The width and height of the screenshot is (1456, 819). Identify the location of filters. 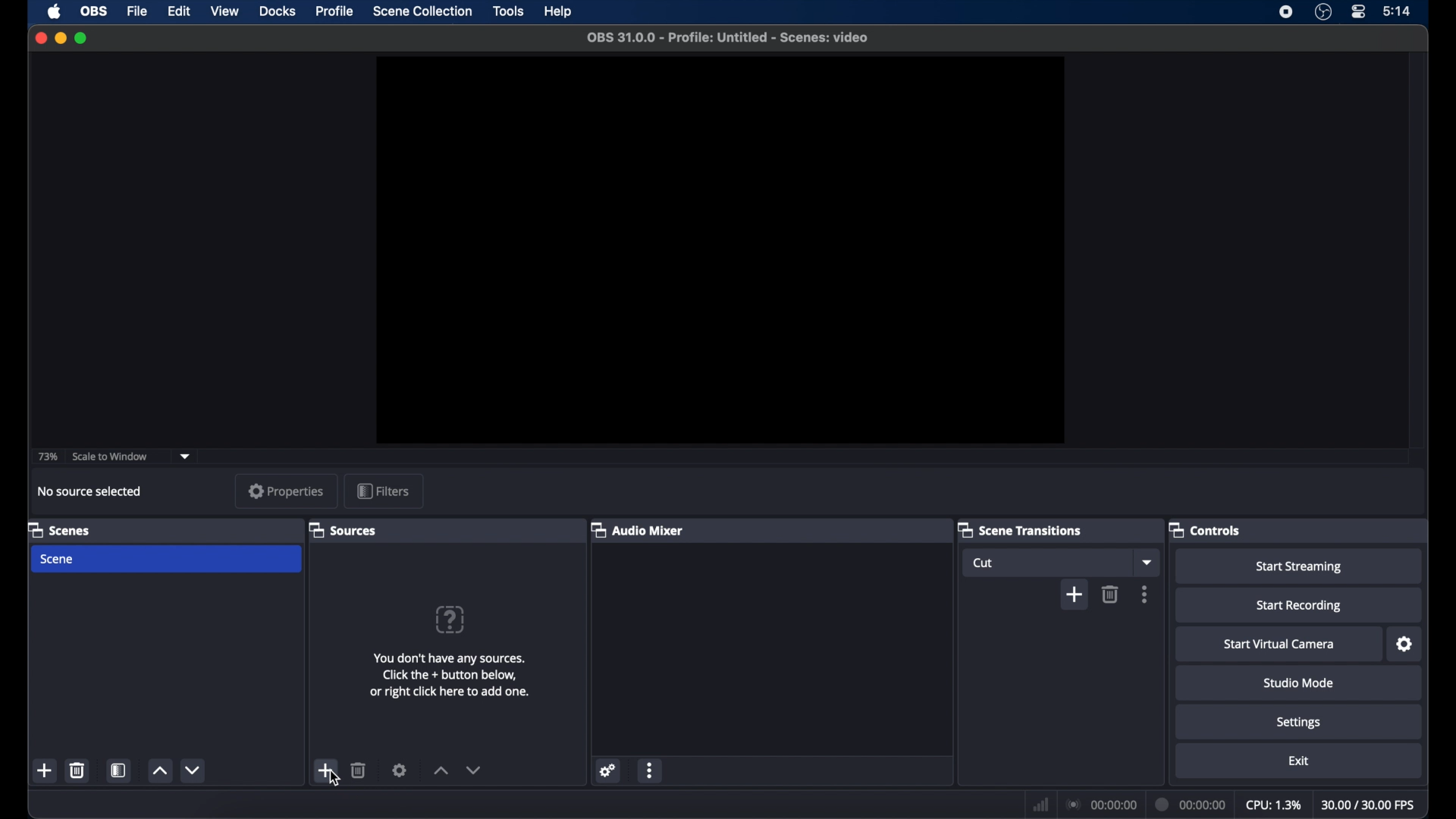
(383, 491).